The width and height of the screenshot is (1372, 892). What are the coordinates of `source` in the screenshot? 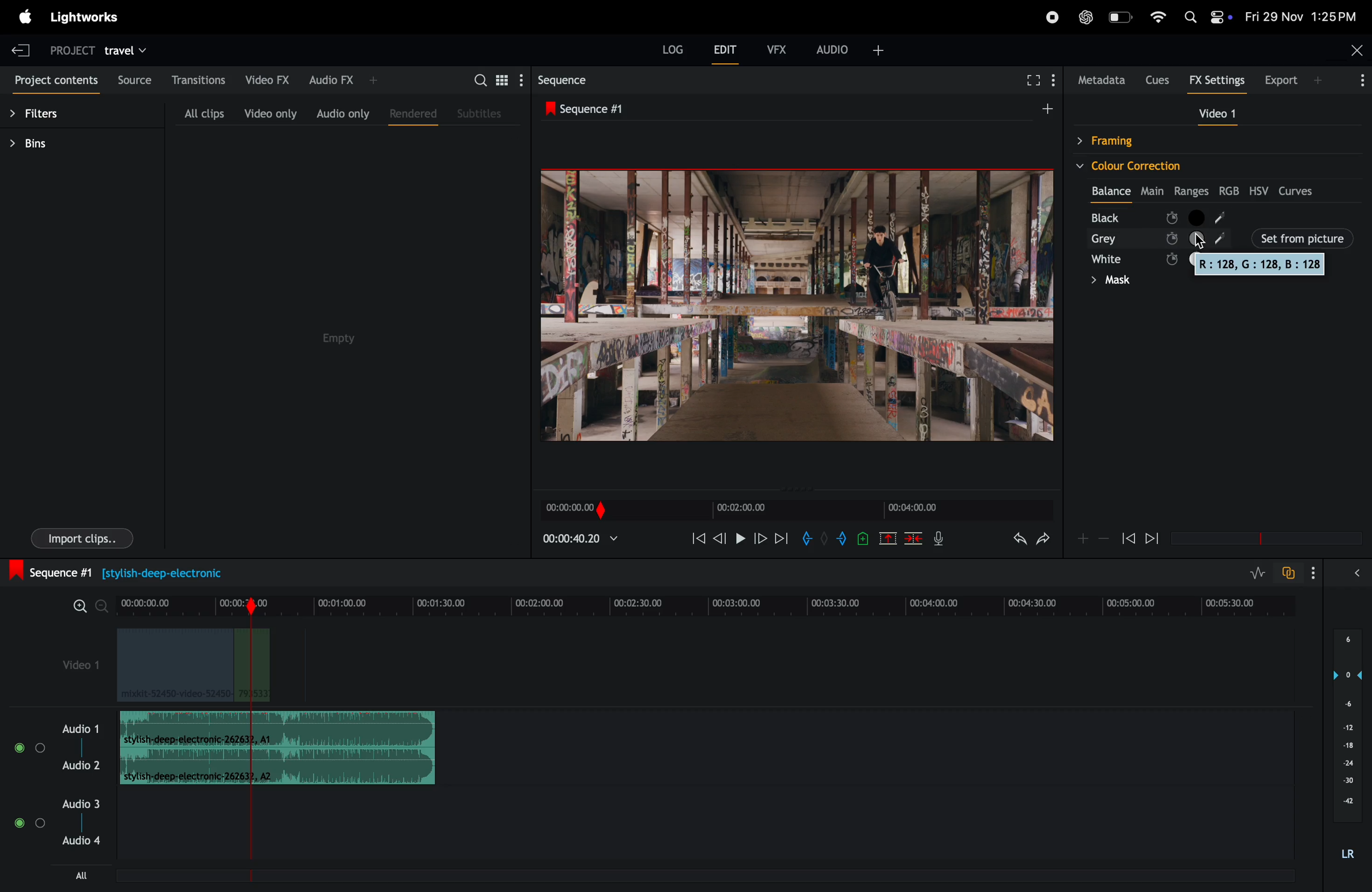 It's located at (135, 80).